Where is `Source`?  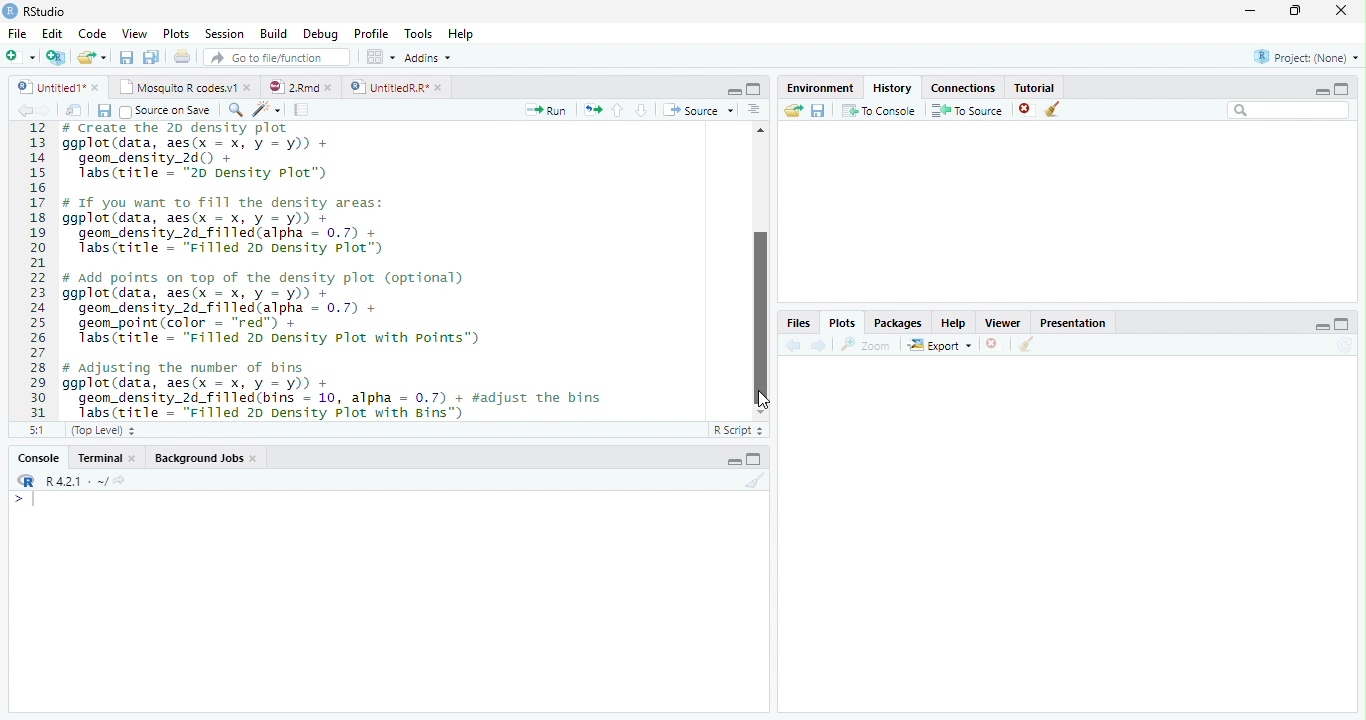
Source is located at coordinates (698, 110).